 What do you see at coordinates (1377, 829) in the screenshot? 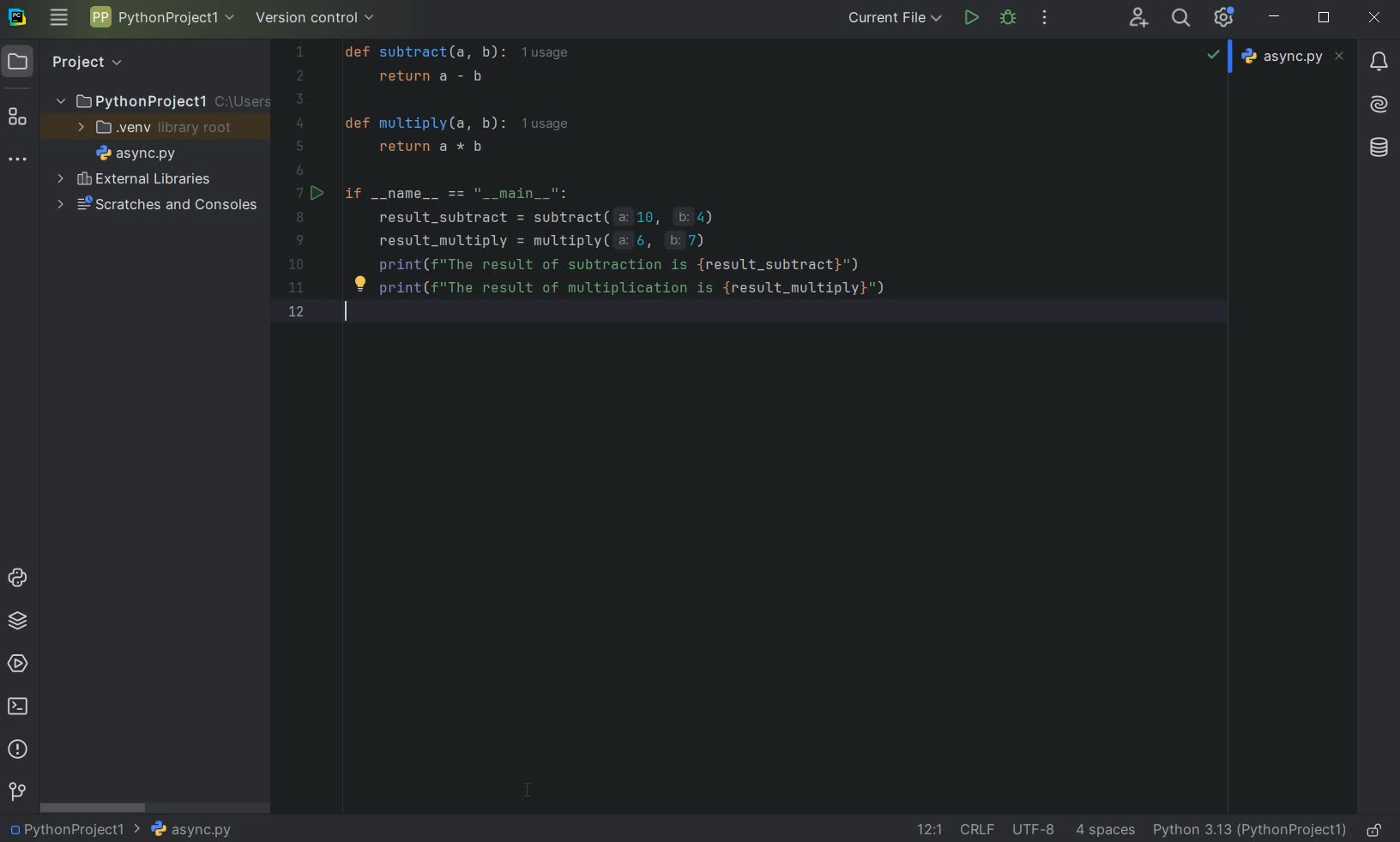
I see `make file ready only` at bounding box center [1377, 829].